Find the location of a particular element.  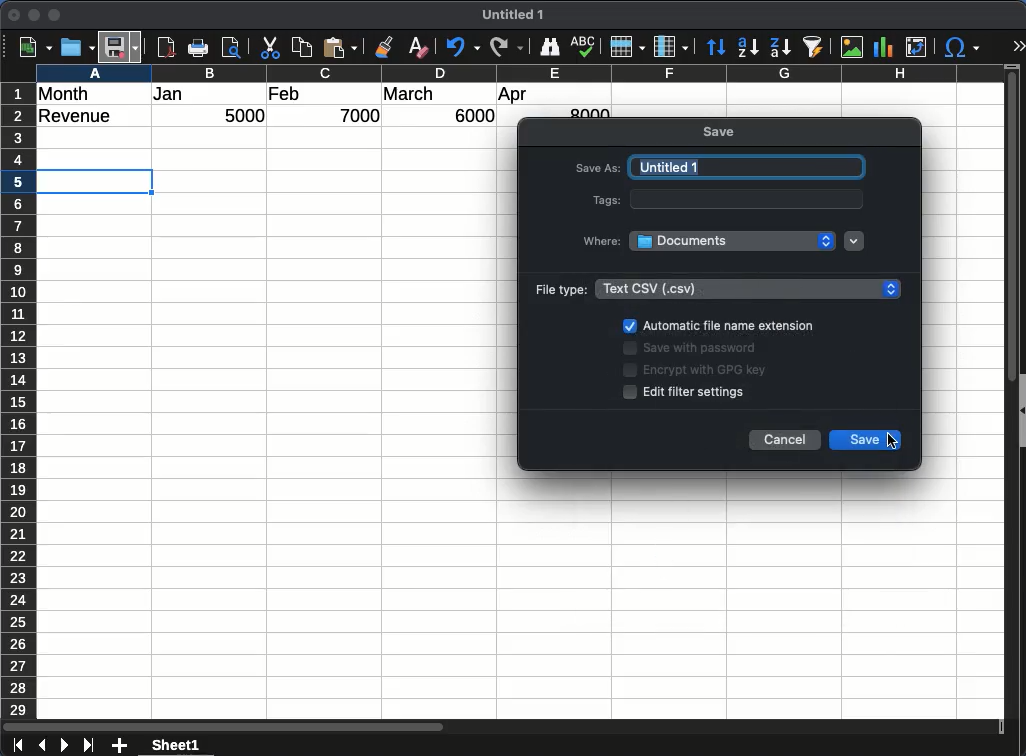

redo is located at coordinates (505, 47).